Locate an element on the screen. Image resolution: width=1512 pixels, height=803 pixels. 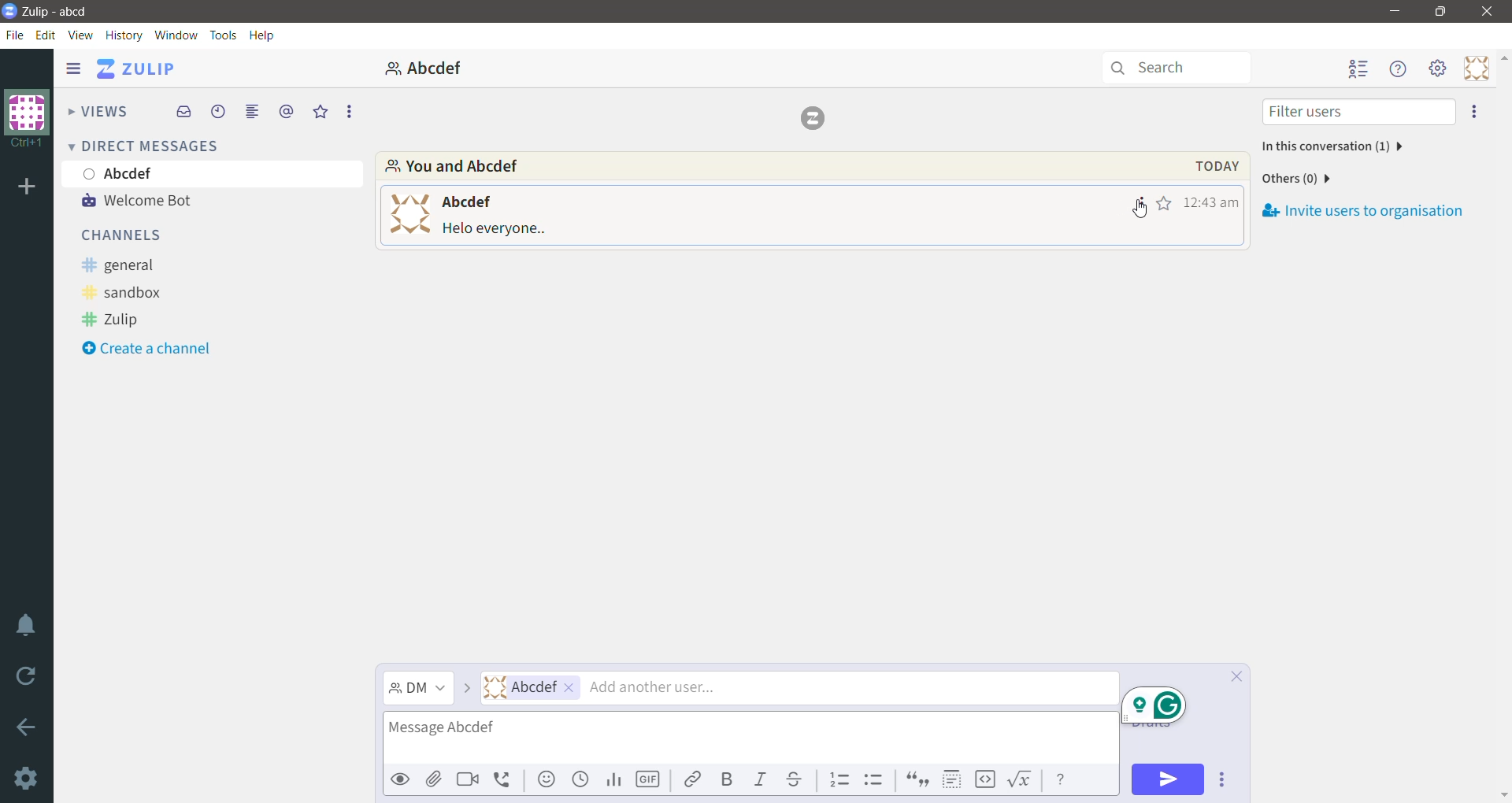
Spoiler is located at coordinates (953, 779).